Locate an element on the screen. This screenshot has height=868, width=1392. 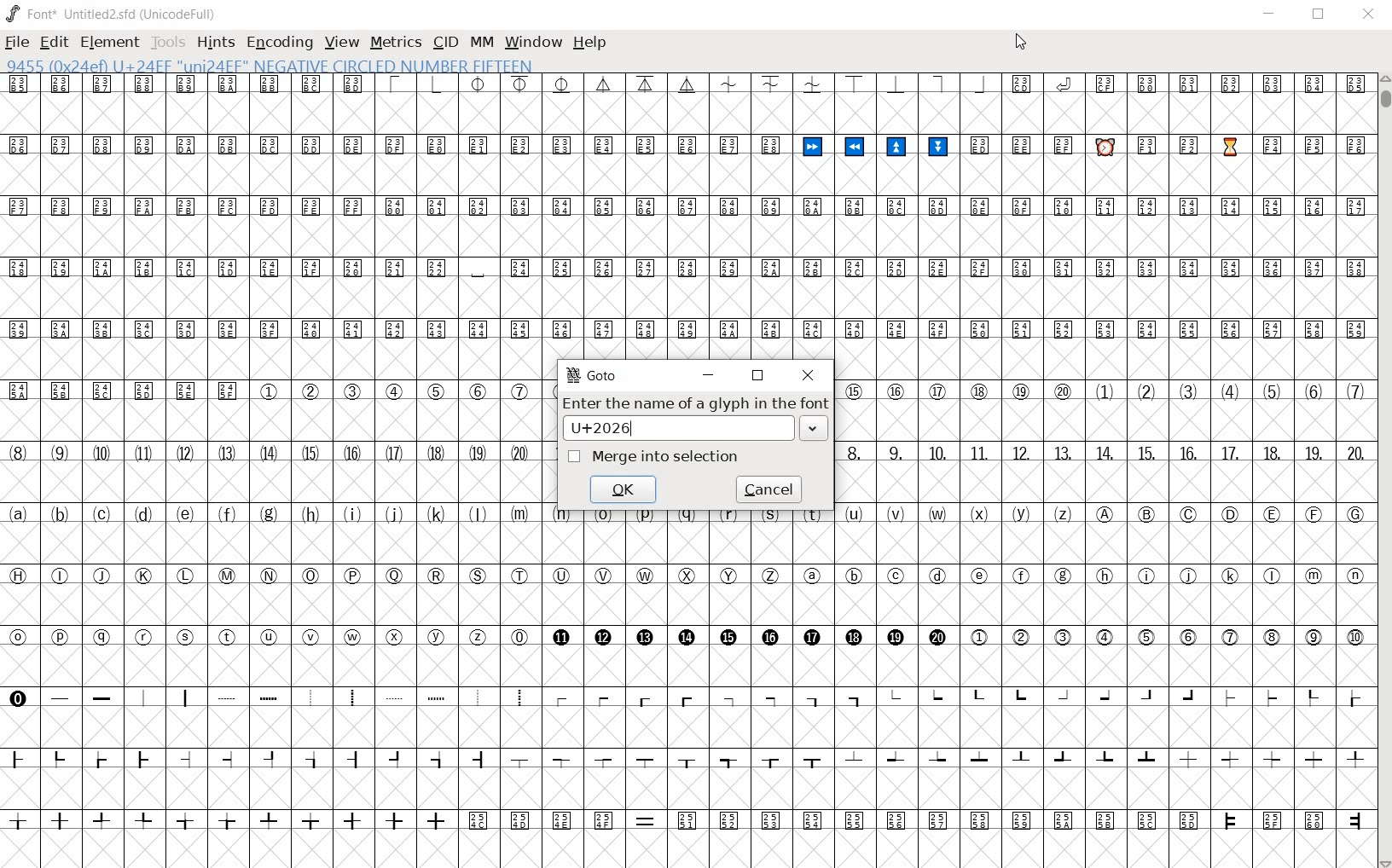
glyph characters is located at coordinates (1105, 472).